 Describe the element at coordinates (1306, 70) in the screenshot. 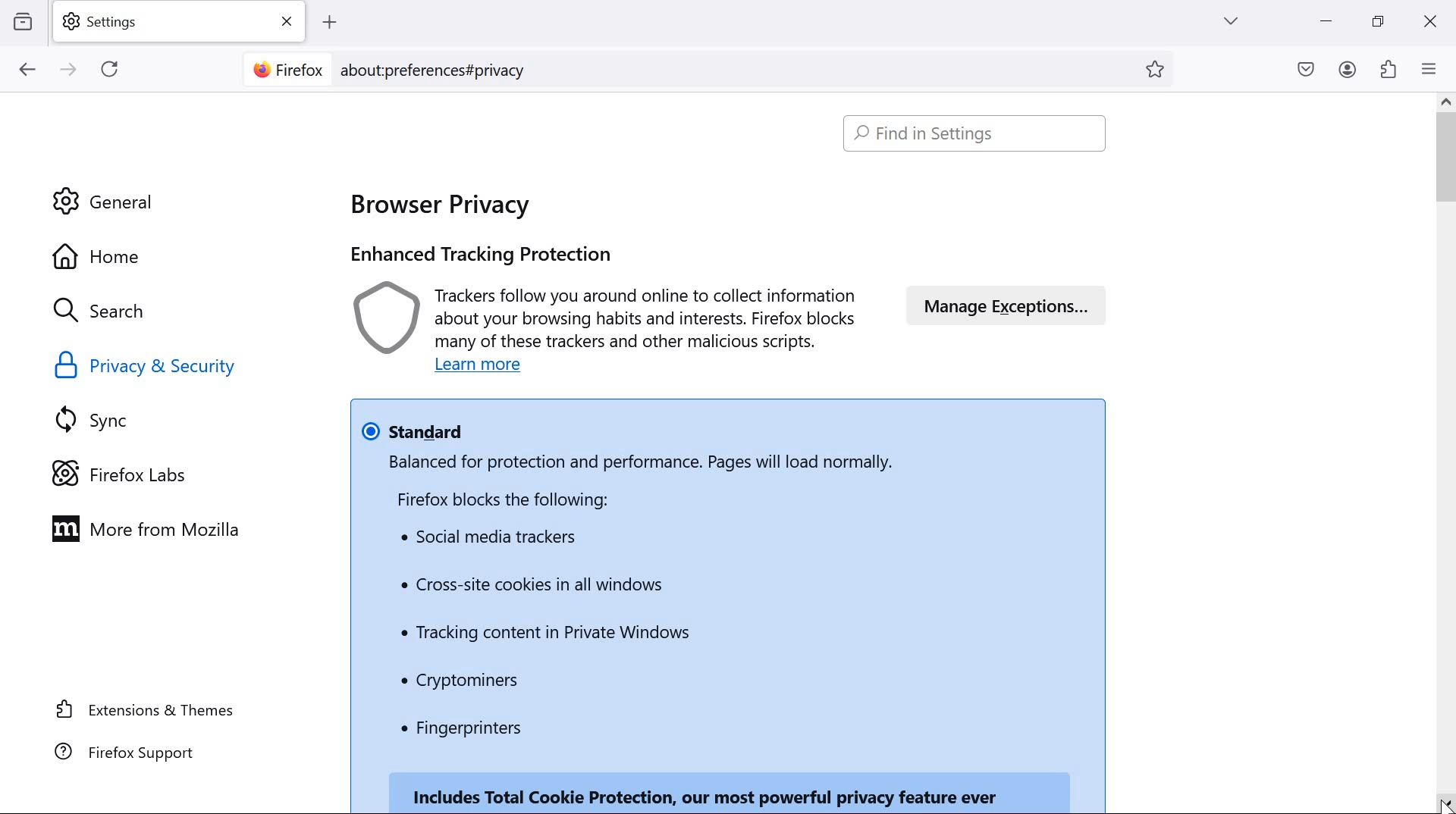

I see `save to pocket` at that location.